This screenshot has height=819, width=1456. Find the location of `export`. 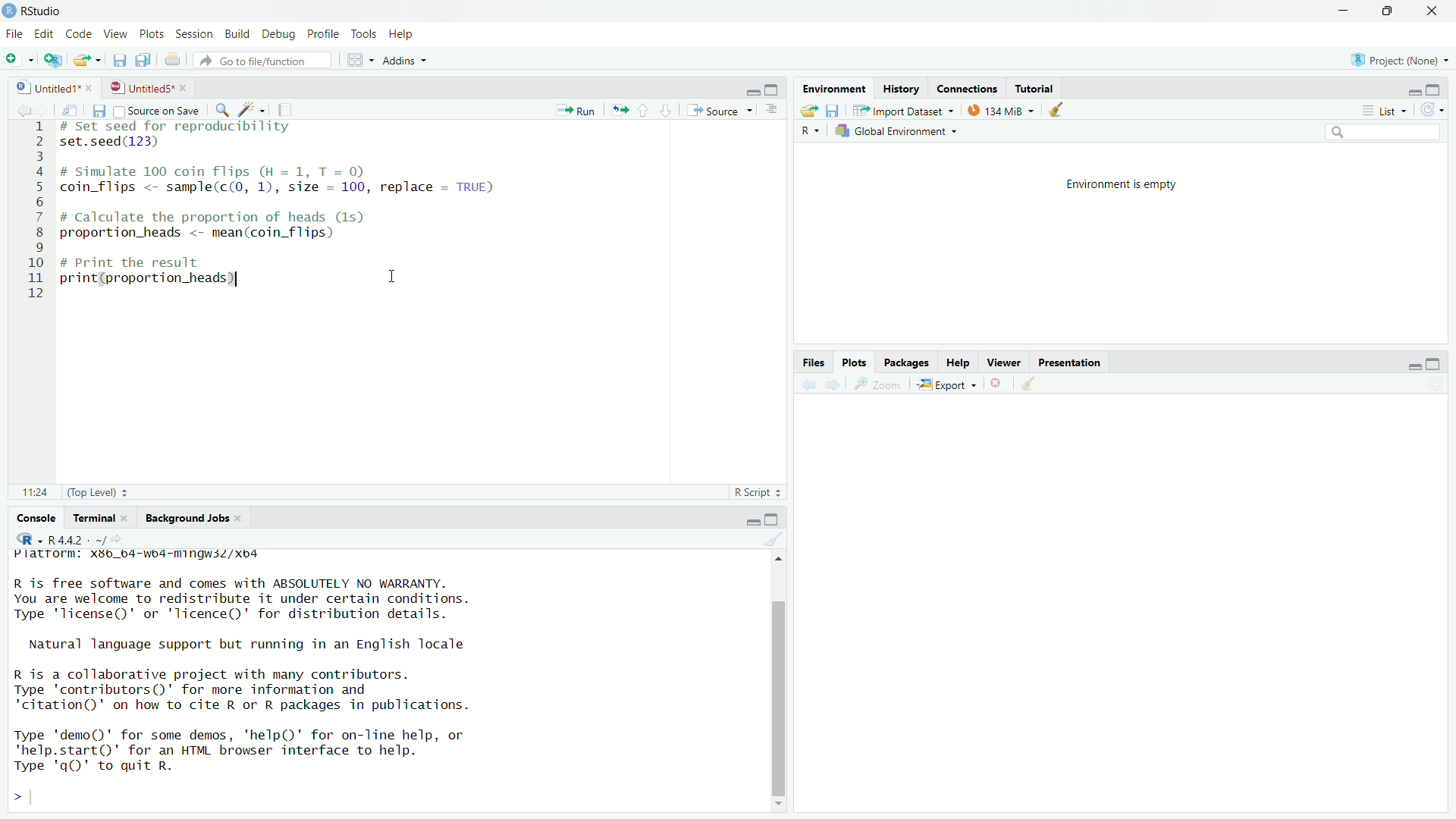

export is located at coordinates (950, 384).